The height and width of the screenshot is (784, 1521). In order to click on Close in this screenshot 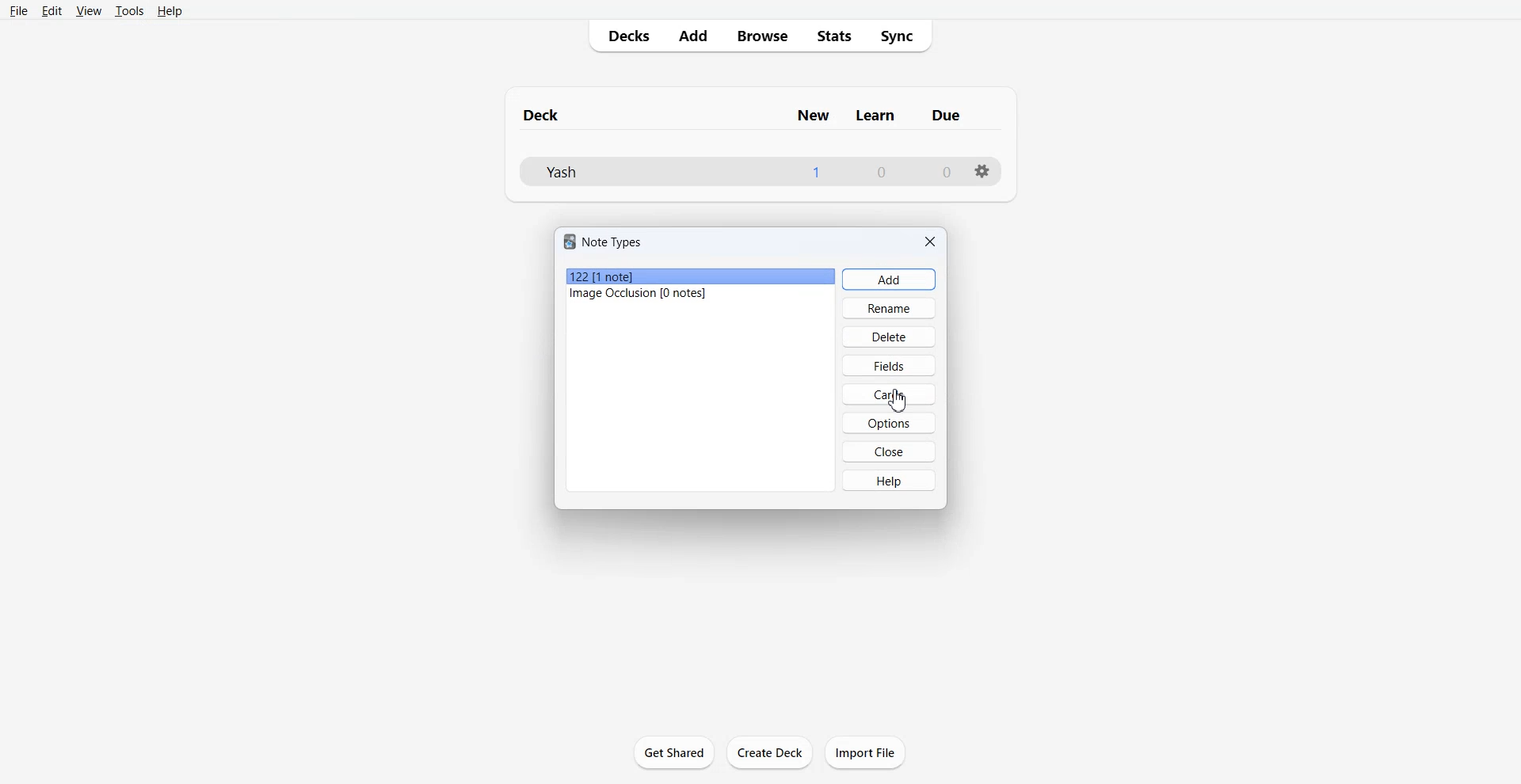, I will do `click(930, 241)`.